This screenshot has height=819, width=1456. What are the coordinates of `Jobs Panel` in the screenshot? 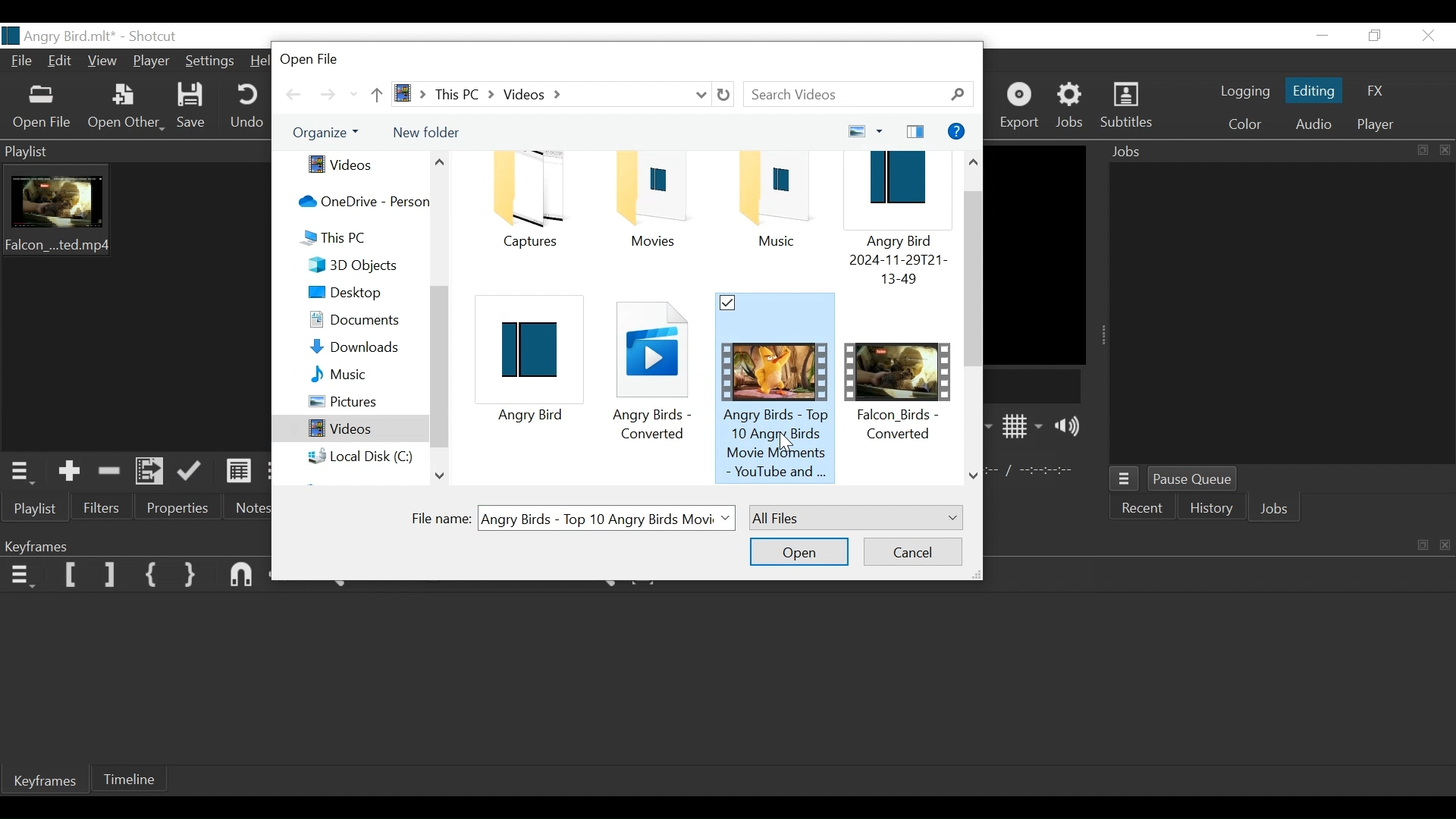 It's located at (1280, 312).